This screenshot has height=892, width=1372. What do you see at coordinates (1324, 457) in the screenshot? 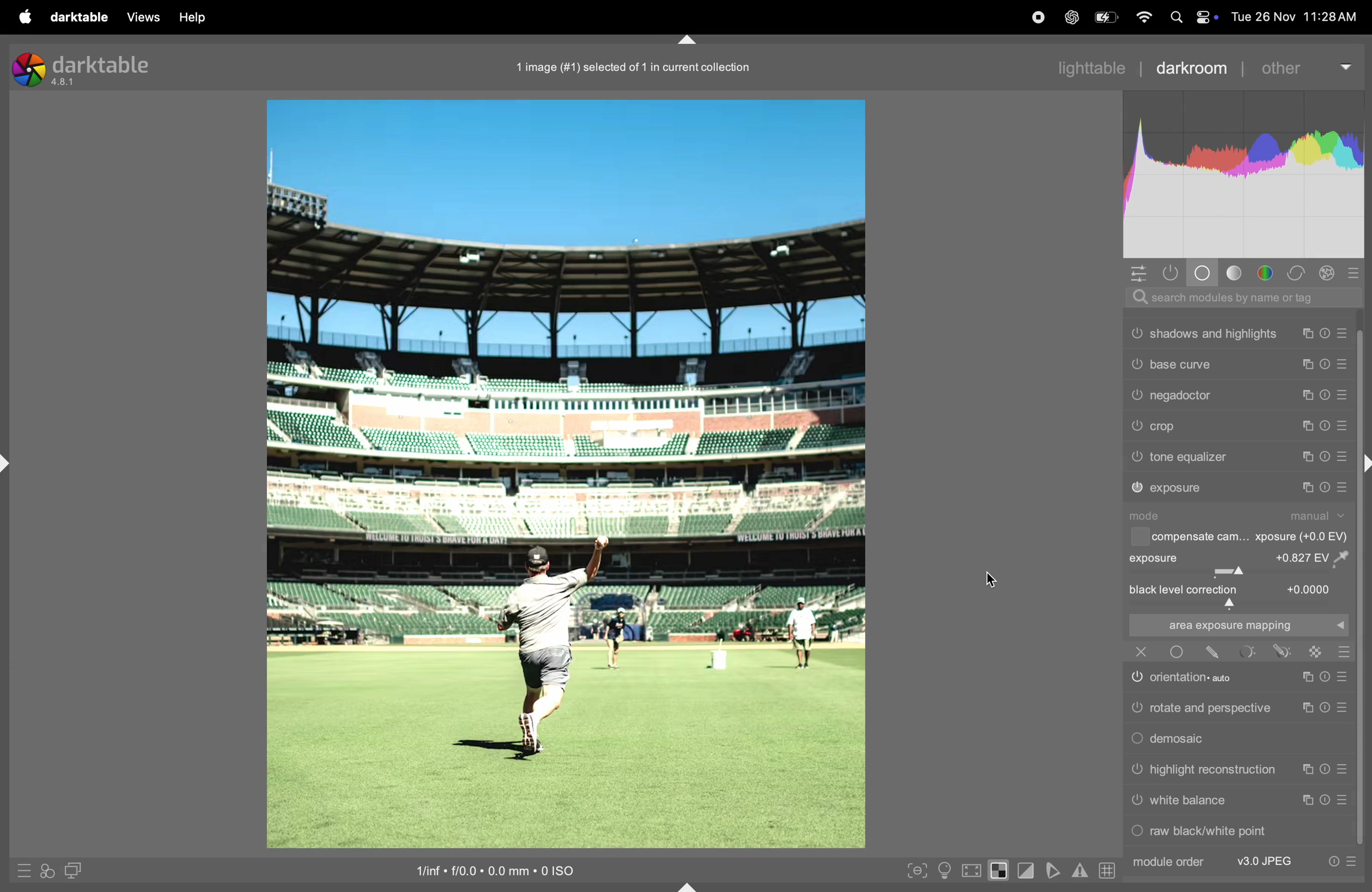
I see `reset presets` at bounding box center [1324, 457].